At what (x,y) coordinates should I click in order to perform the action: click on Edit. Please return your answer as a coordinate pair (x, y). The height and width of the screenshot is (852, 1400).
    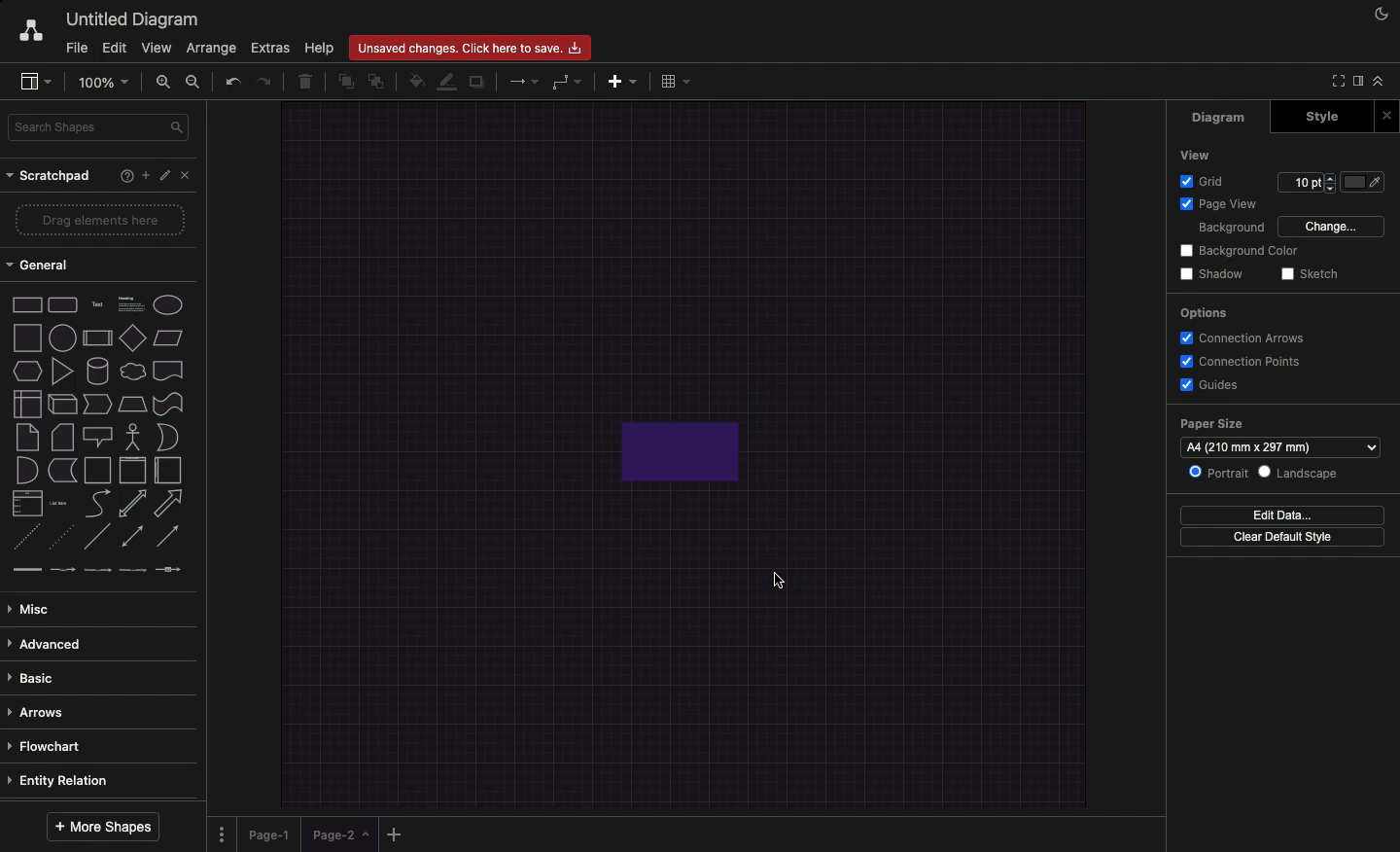
    Looking at the image, I should click on (114, 47).